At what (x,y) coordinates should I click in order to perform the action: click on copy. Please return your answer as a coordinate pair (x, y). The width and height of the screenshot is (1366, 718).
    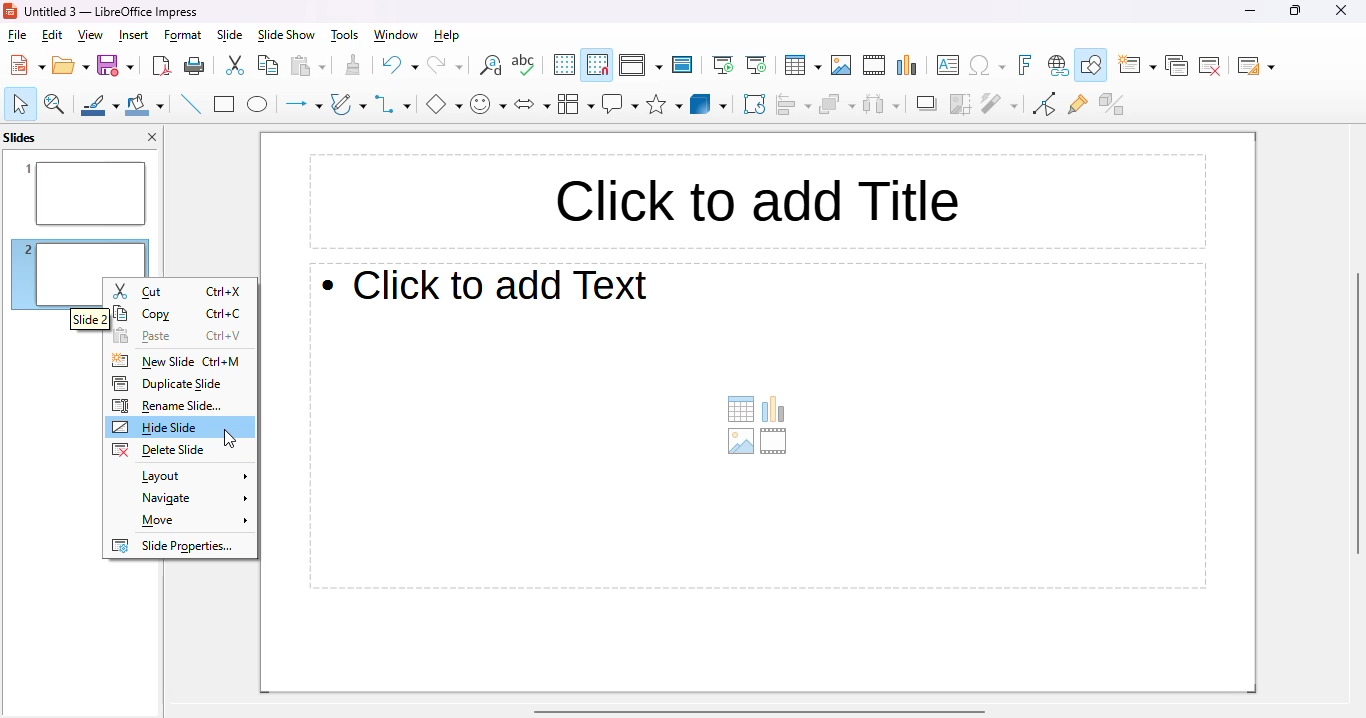
    Looking at the image, I should click on (144, 314).